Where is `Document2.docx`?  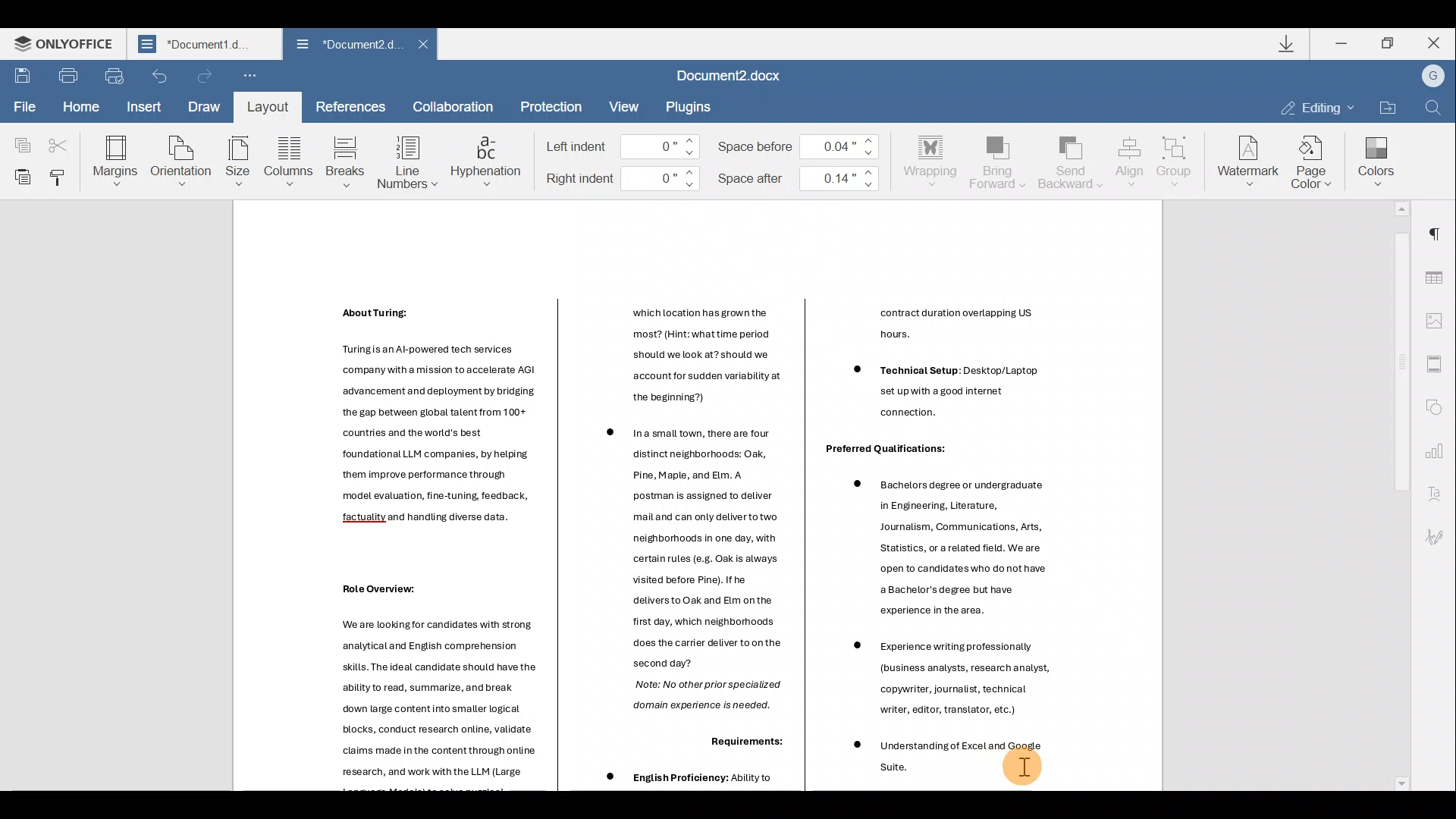
Document2.docx is located at coordinates (739, 77).